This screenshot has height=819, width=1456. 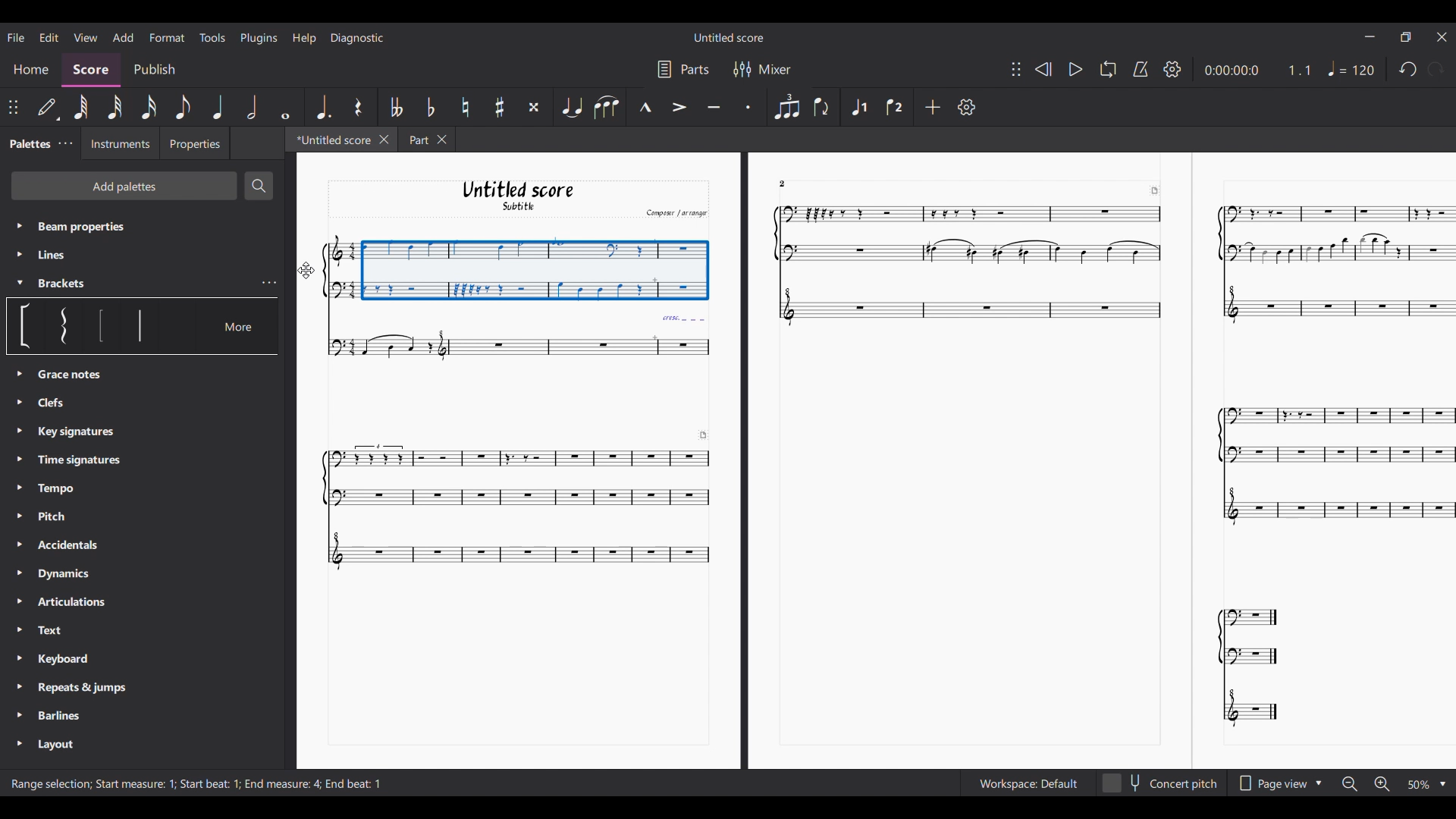 What do you see at coordinates (1406, 39) in the screenshot?
I see `Maximize` at bounding box center [1406, 39].